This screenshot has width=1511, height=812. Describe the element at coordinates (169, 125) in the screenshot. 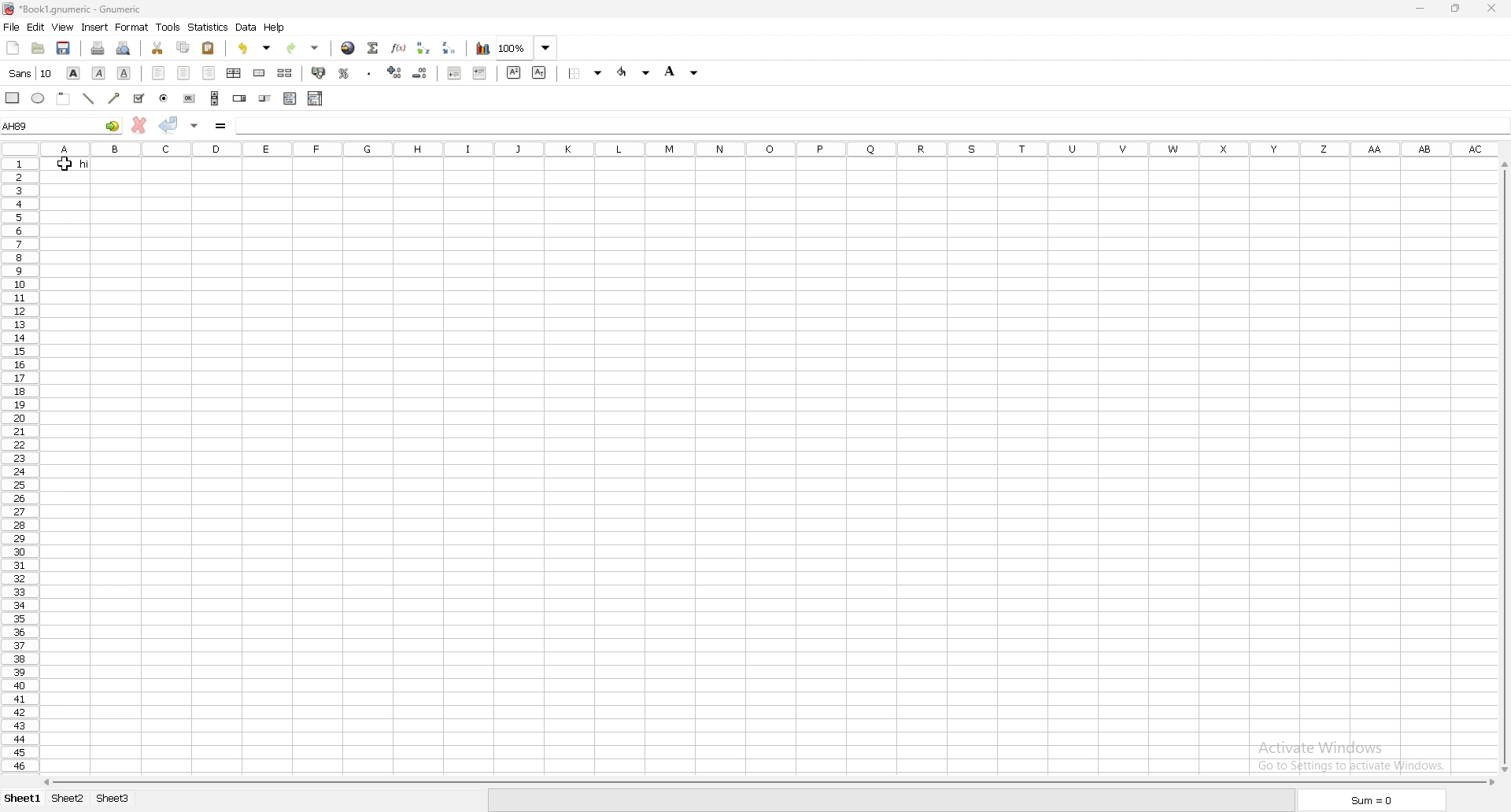

I see `accept changes` at that location.